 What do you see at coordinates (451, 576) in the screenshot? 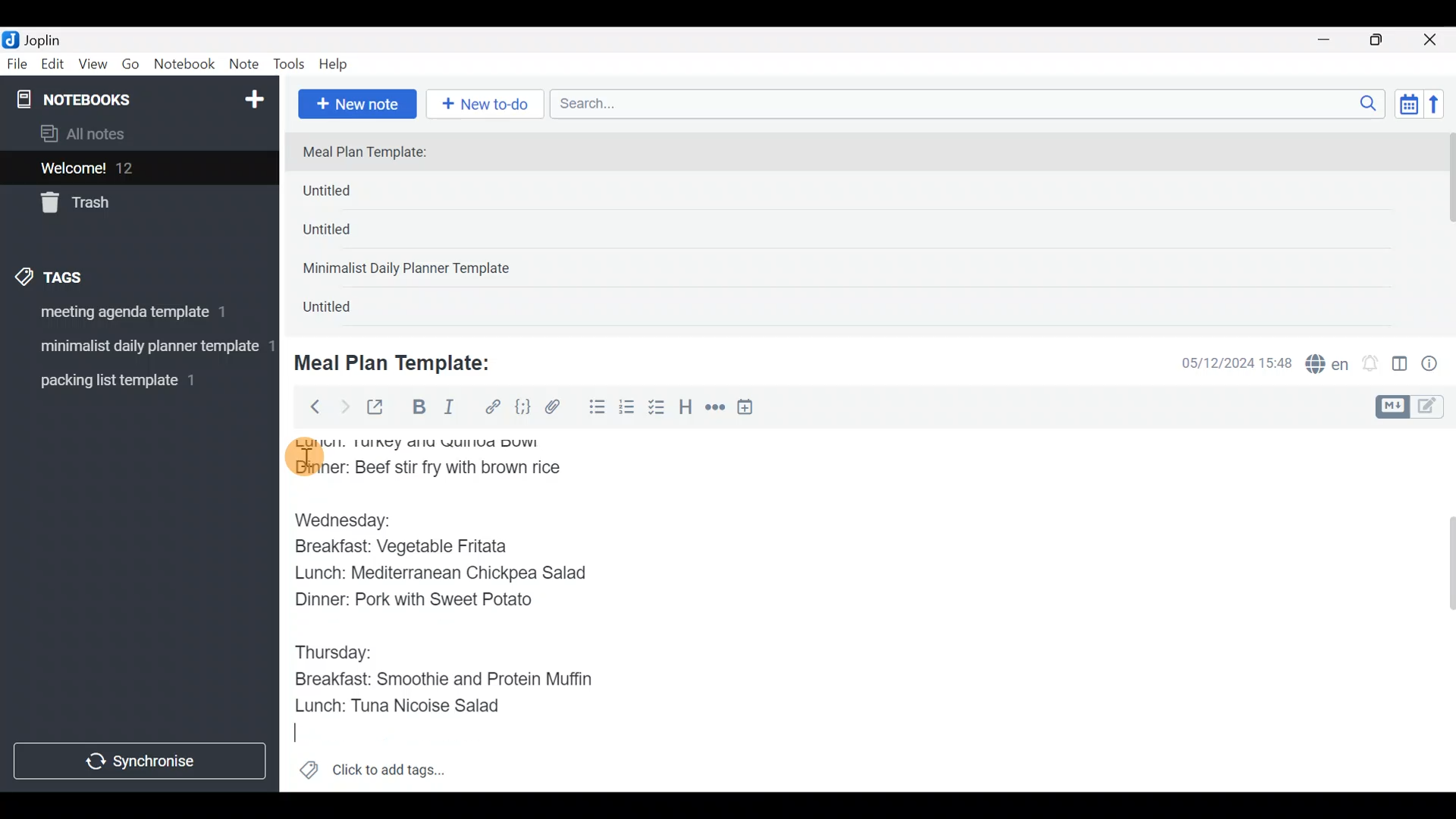
I see `Lunch: Mediterranean Chickpea Salad` at bounding box center [451, 576].